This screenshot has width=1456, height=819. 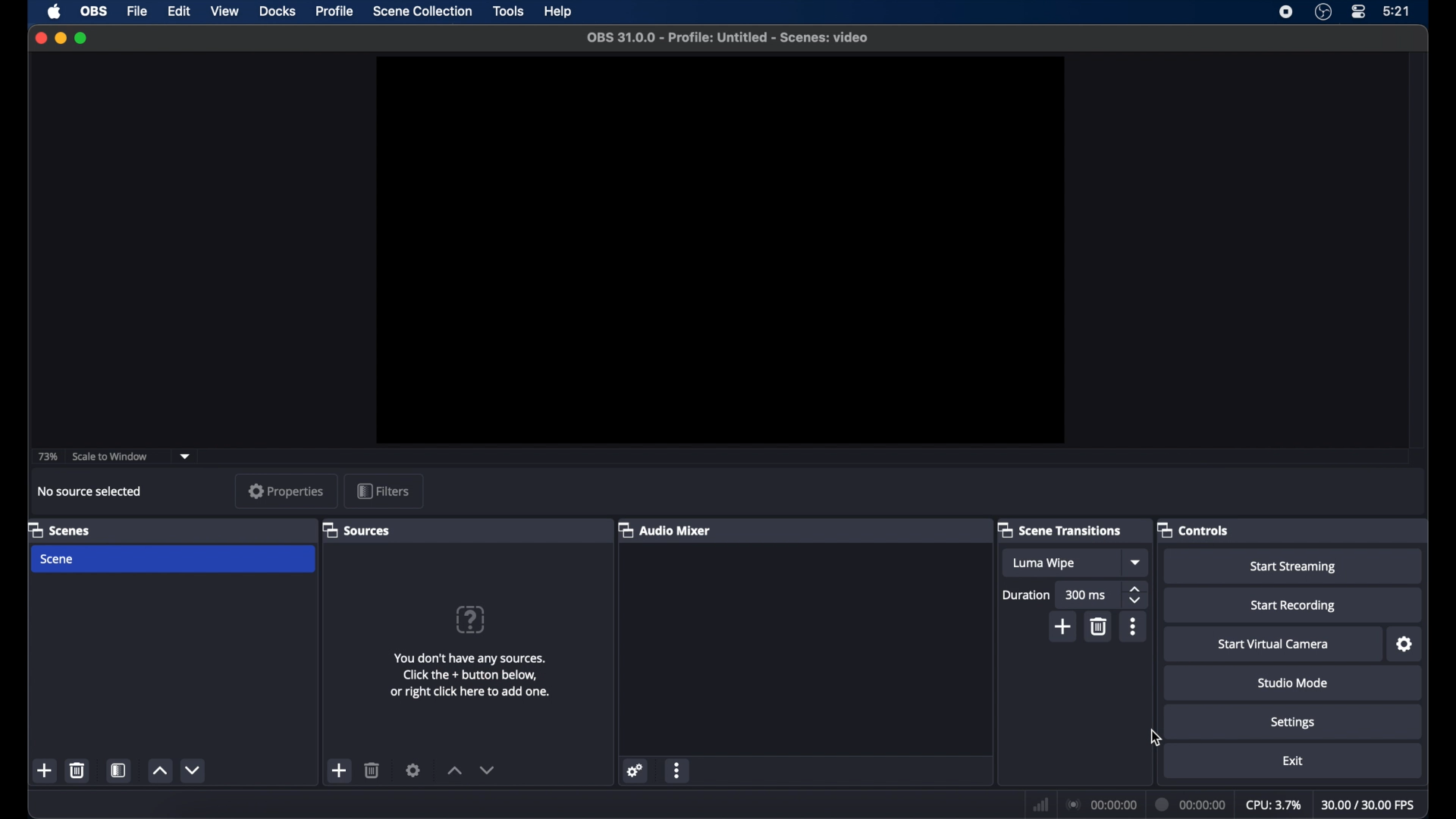 I want to click on filters, so click(x=382, y=490).